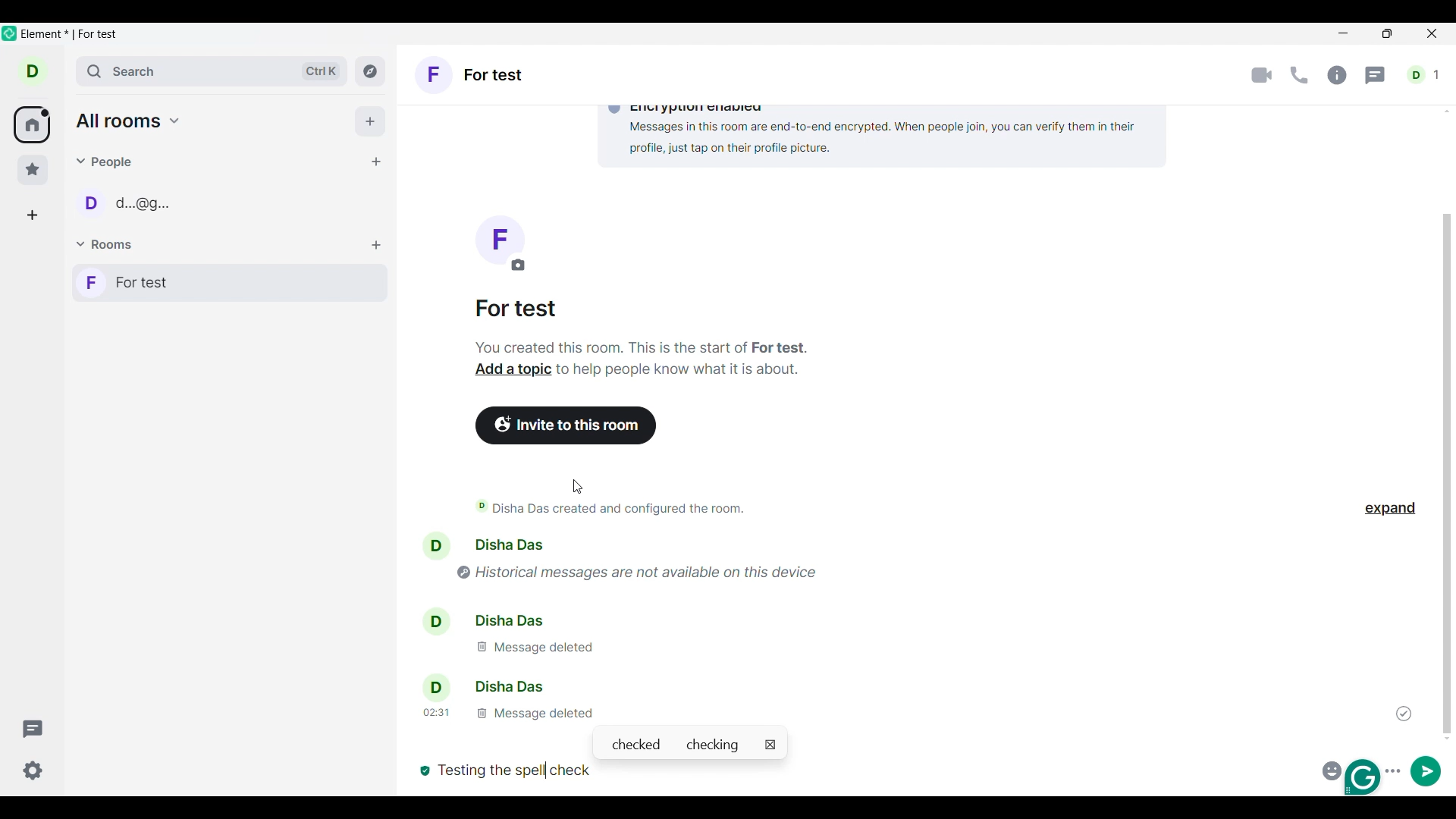 The height and width of the screenshot is (819, 1456). I want to click on Create a space, so click(32, 215).